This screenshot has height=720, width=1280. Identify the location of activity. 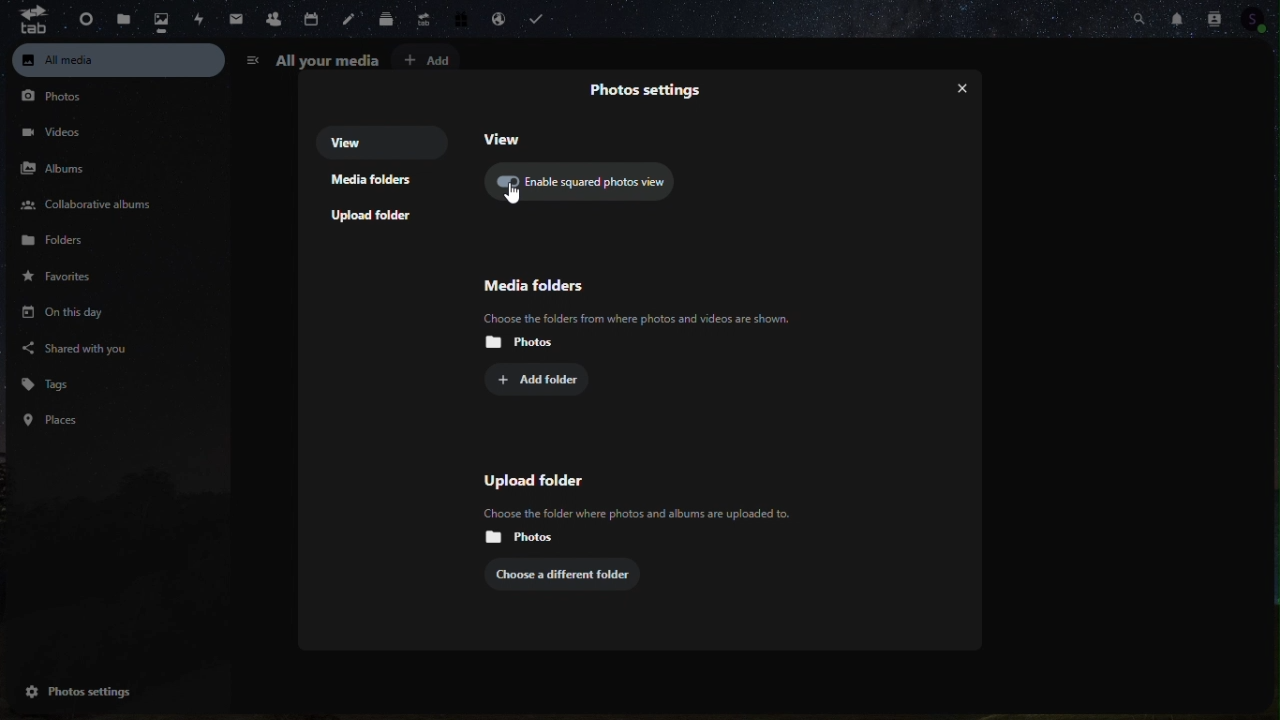
(197, 17).